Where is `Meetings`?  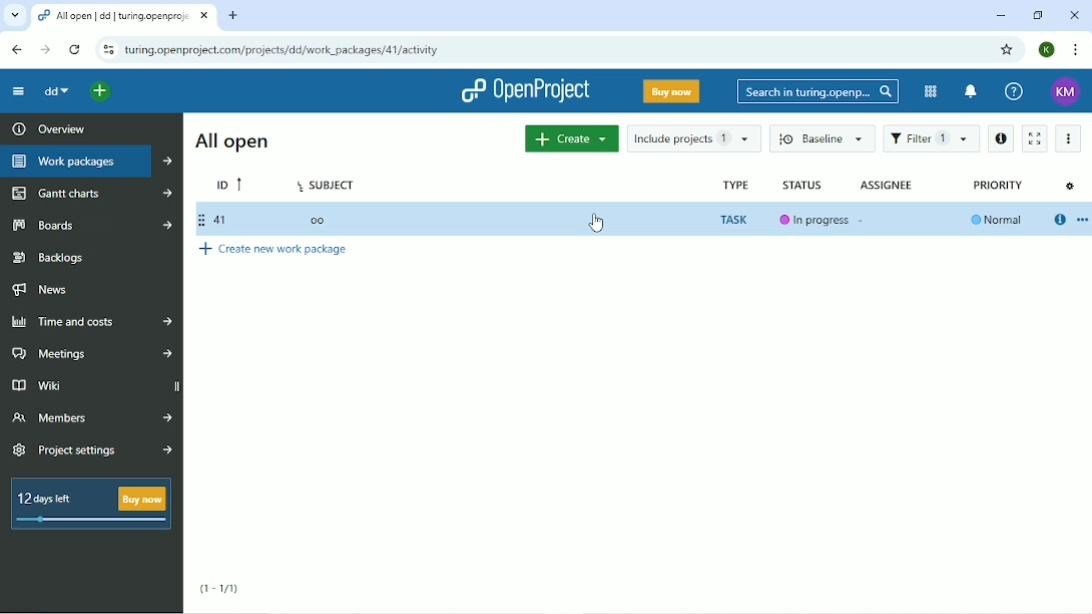
Meetings is located at coordinates (94, 353).